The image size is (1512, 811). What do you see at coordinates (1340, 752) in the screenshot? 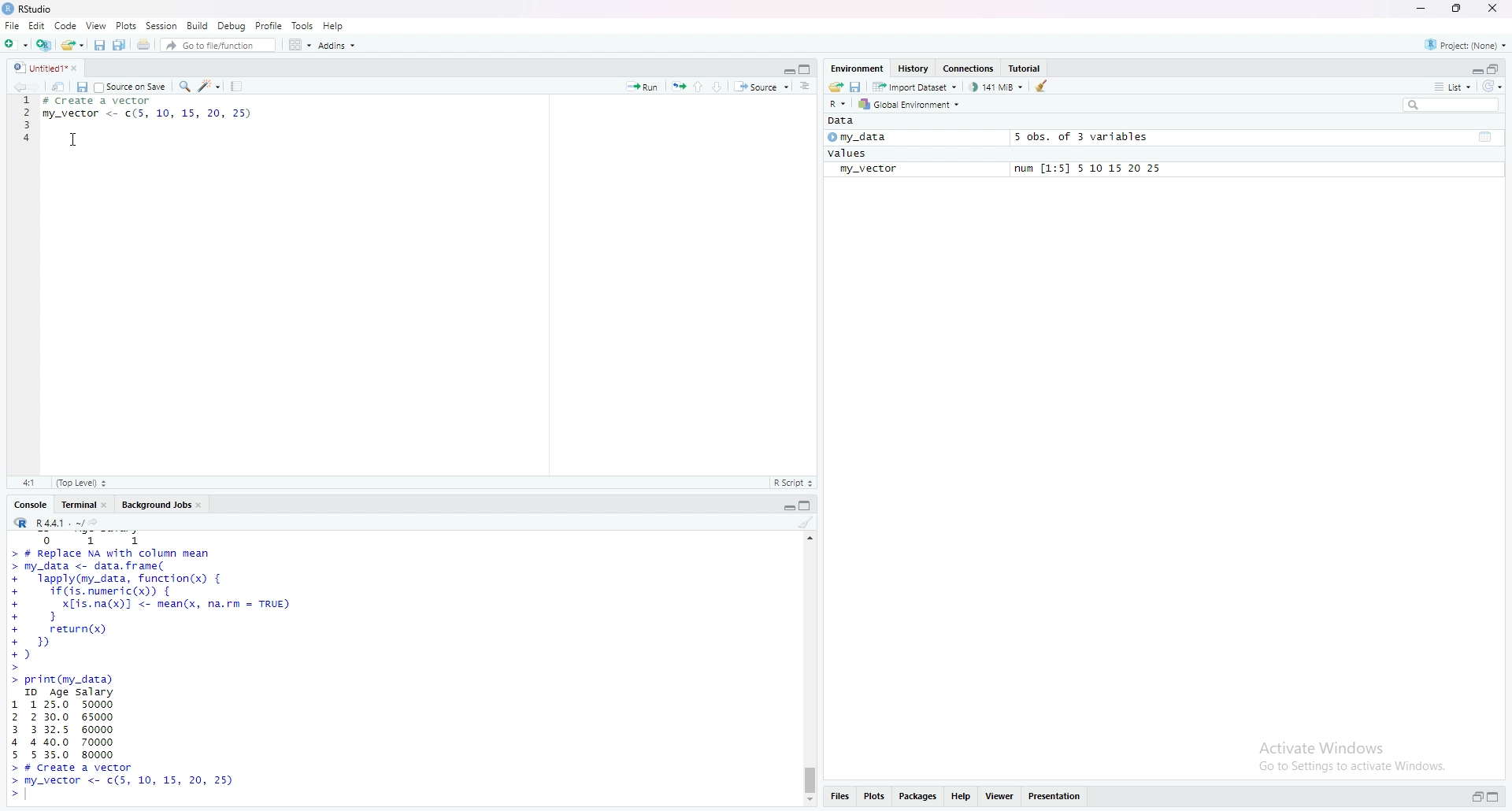
I see `activate windows go to settings to activate windows` at bounding box center [1340, 752].